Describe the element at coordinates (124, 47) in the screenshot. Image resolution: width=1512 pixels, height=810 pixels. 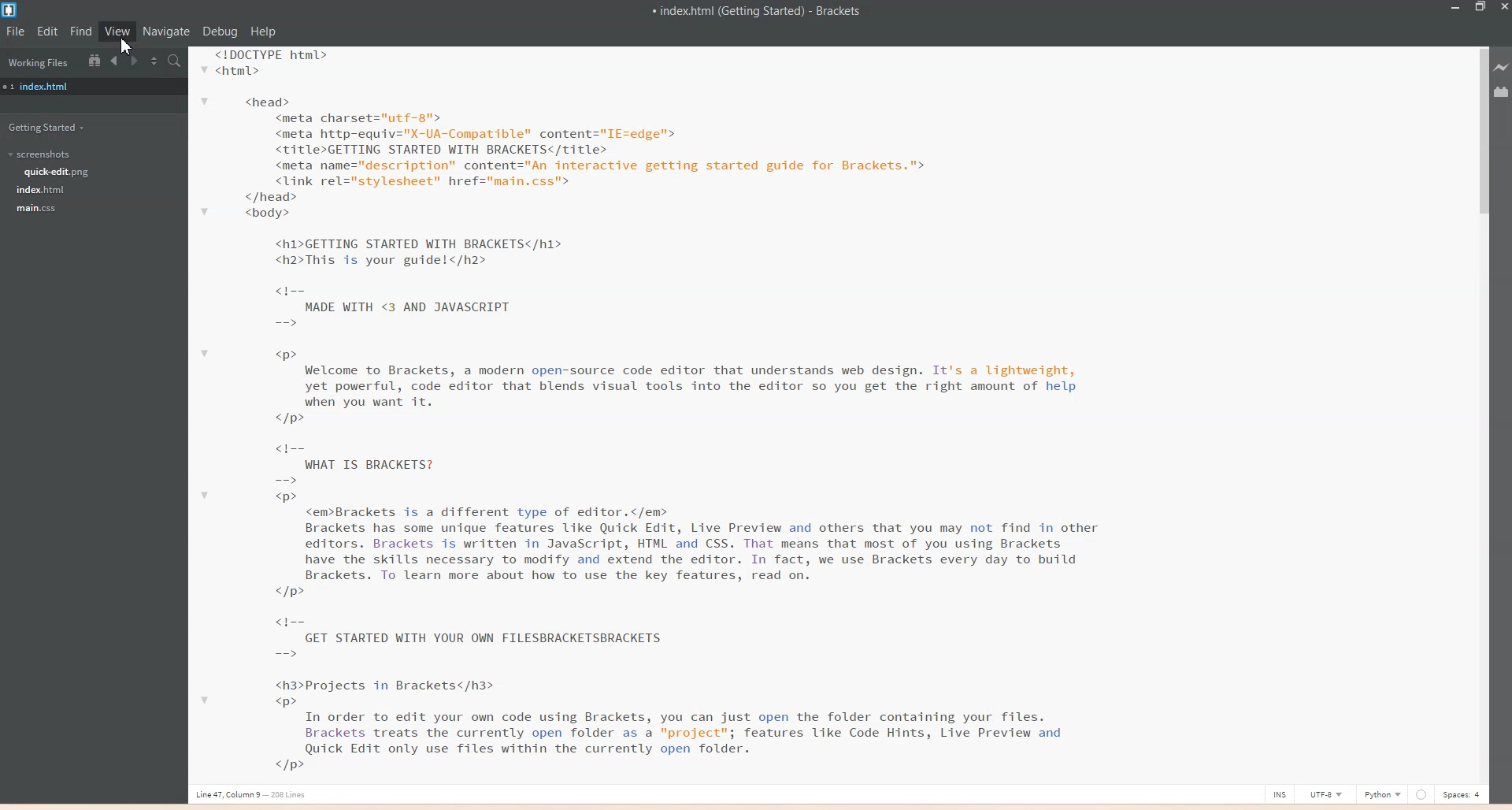
I see `cursor` at that location.